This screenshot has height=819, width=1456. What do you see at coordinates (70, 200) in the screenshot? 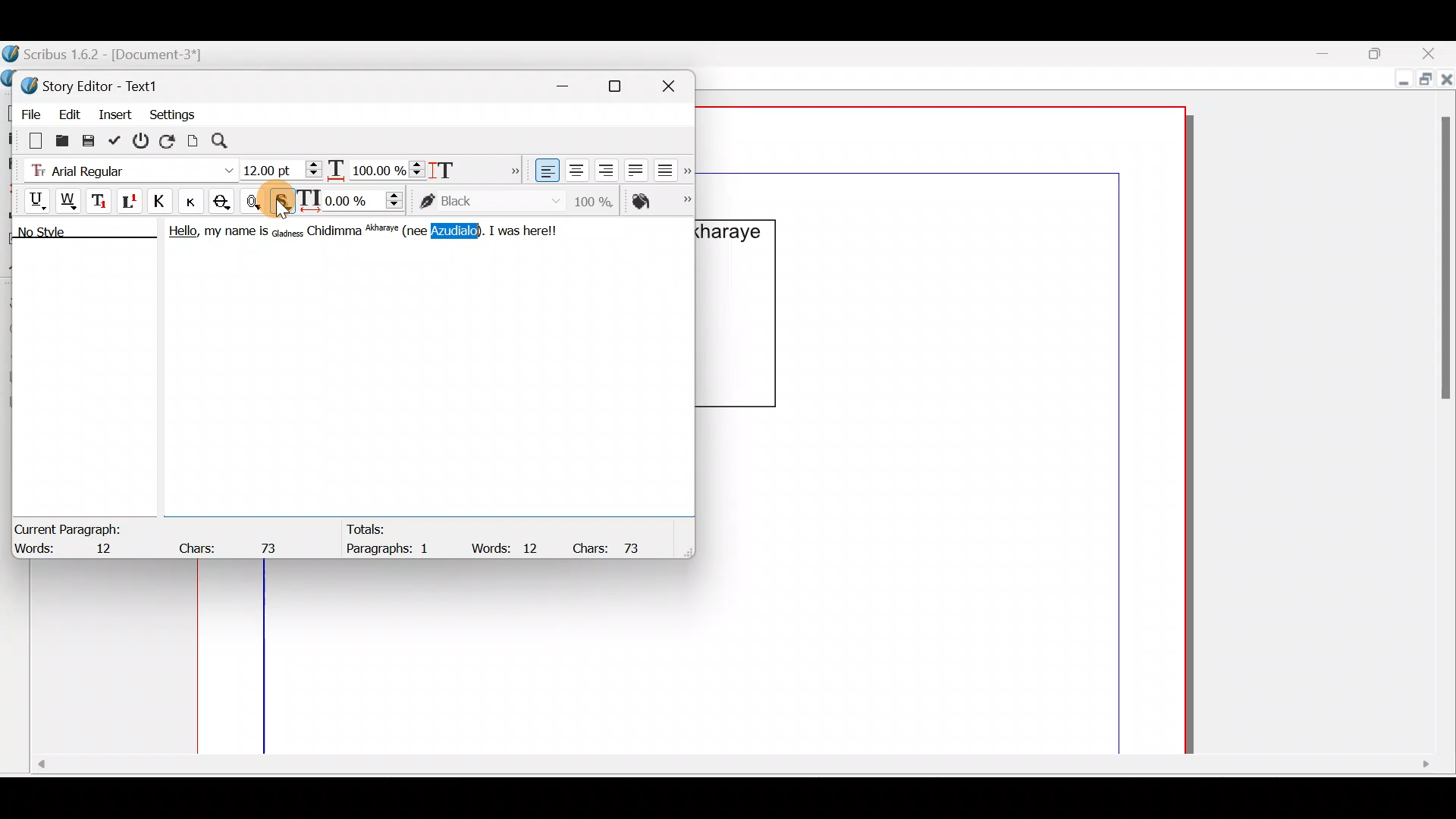
I see `Underline words only` at bounding box center [70, 200].